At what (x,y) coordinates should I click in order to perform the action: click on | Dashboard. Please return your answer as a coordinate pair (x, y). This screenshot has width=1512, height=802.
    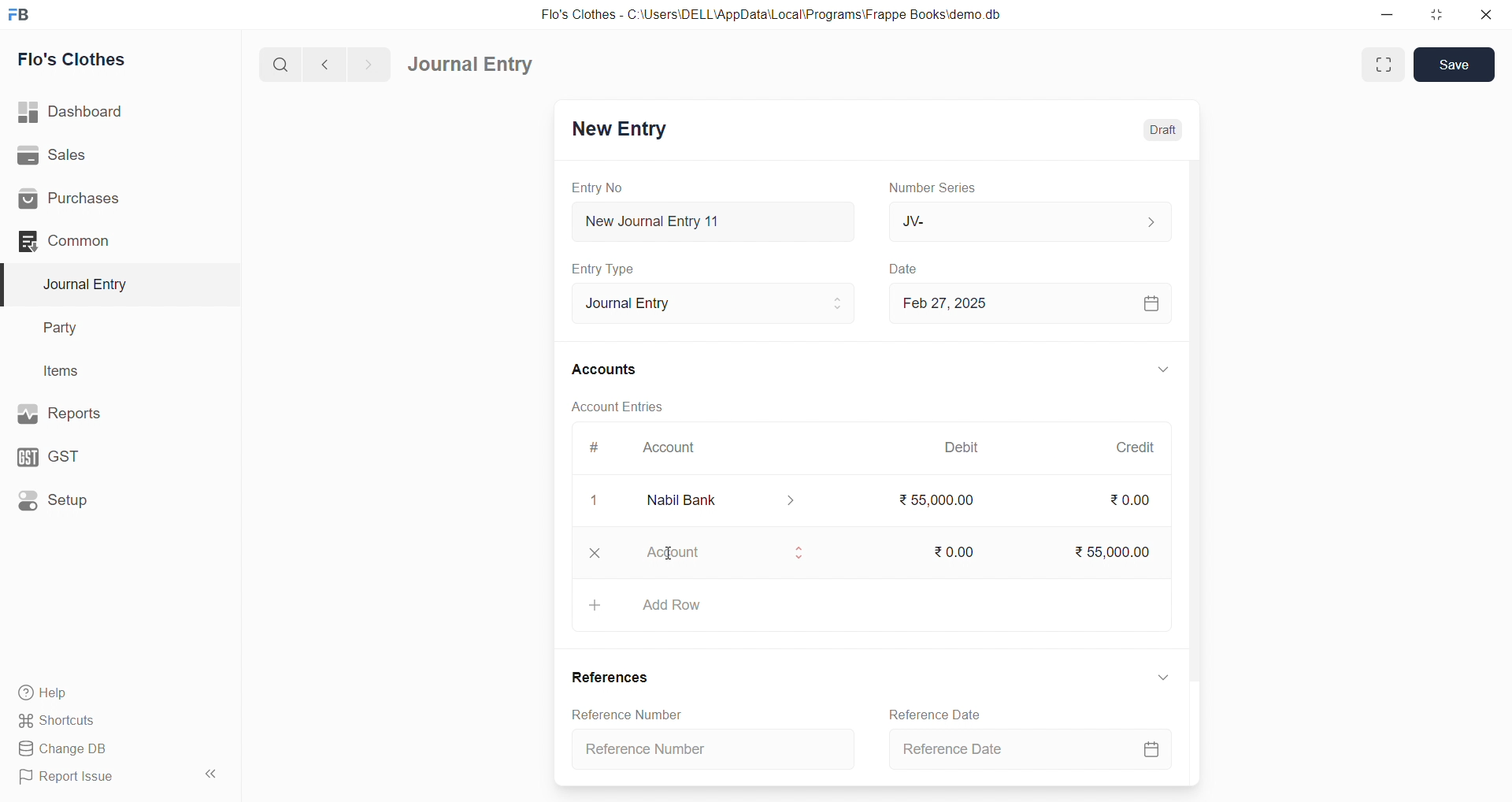
    Looking at the image, I should click on (86, 113).